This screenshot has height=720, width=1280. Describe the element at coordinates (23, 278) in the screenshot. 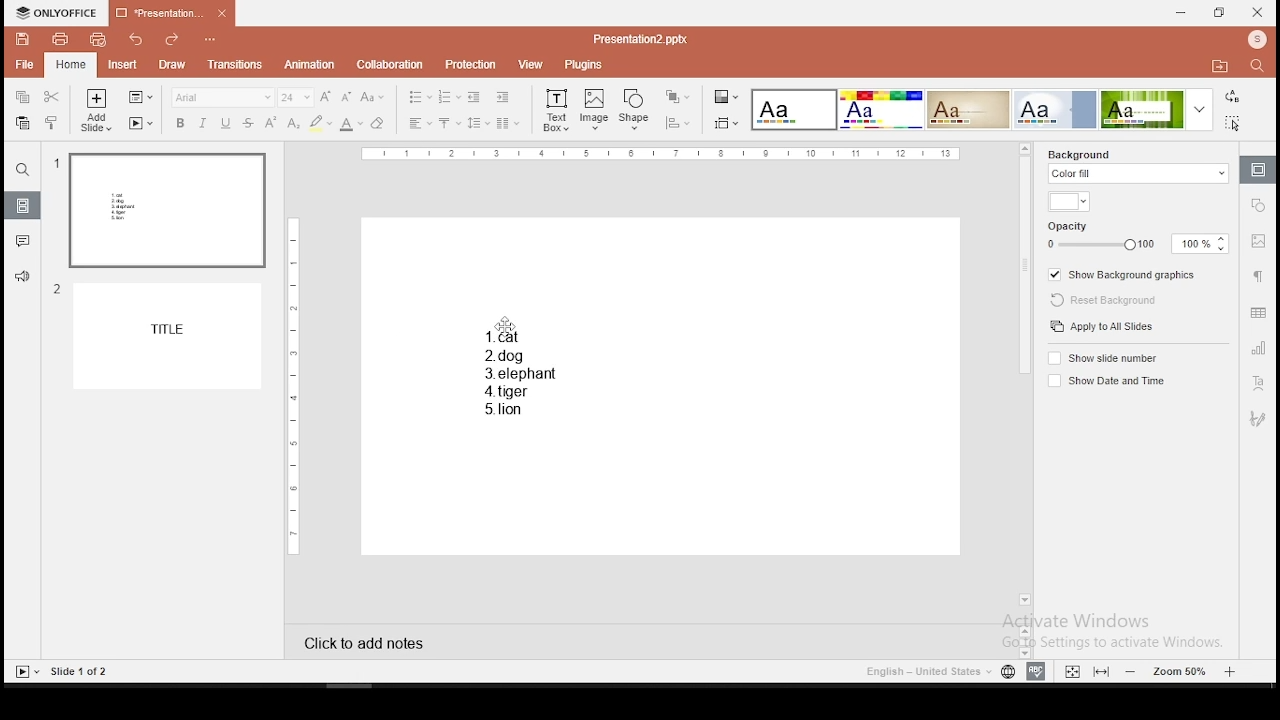

I see `support and feedback` at that location.